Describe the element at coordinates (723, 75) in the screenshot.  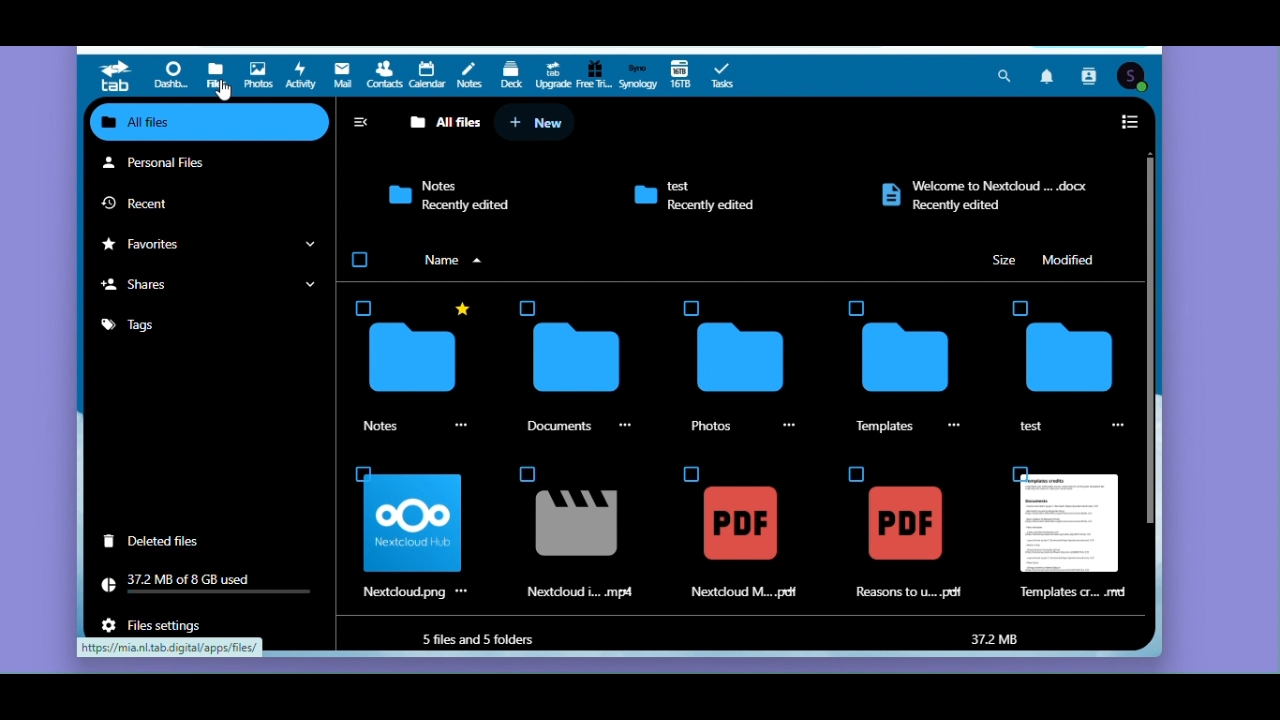
I see `Tasks` at that location.